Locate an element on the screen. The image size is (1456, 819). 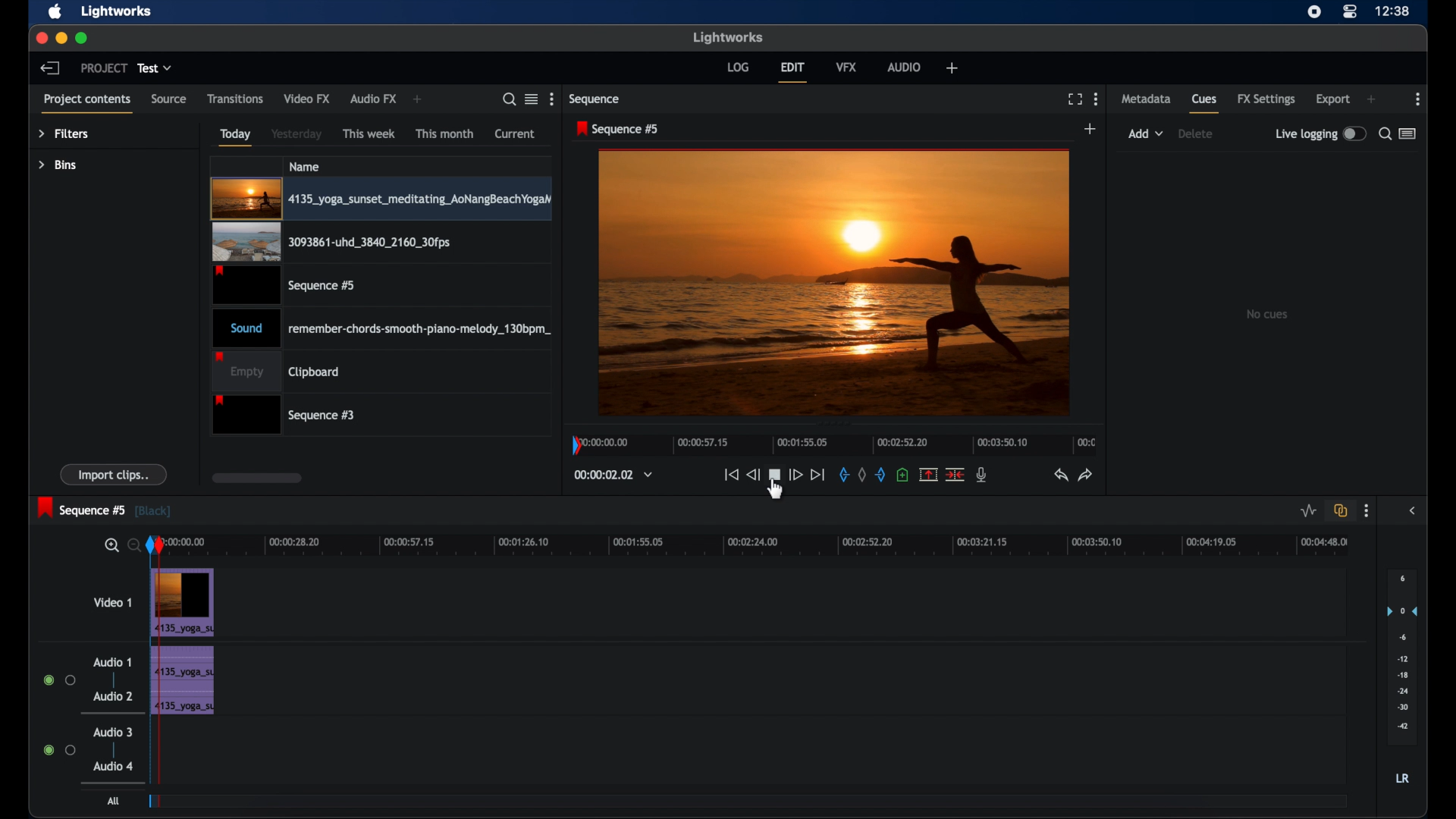
toggle between list or logger view is located at coordinates (1407, 133).